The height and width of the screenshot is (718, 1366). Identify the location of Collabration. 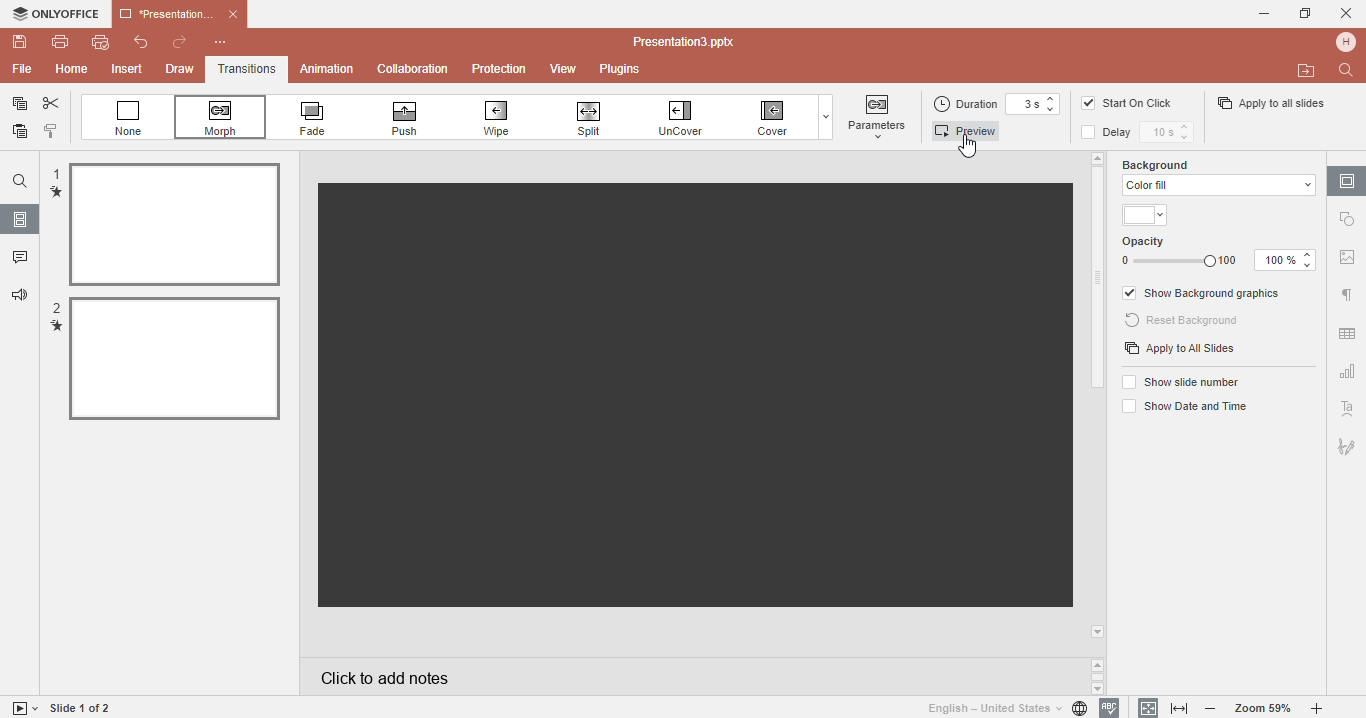
(413, 70).